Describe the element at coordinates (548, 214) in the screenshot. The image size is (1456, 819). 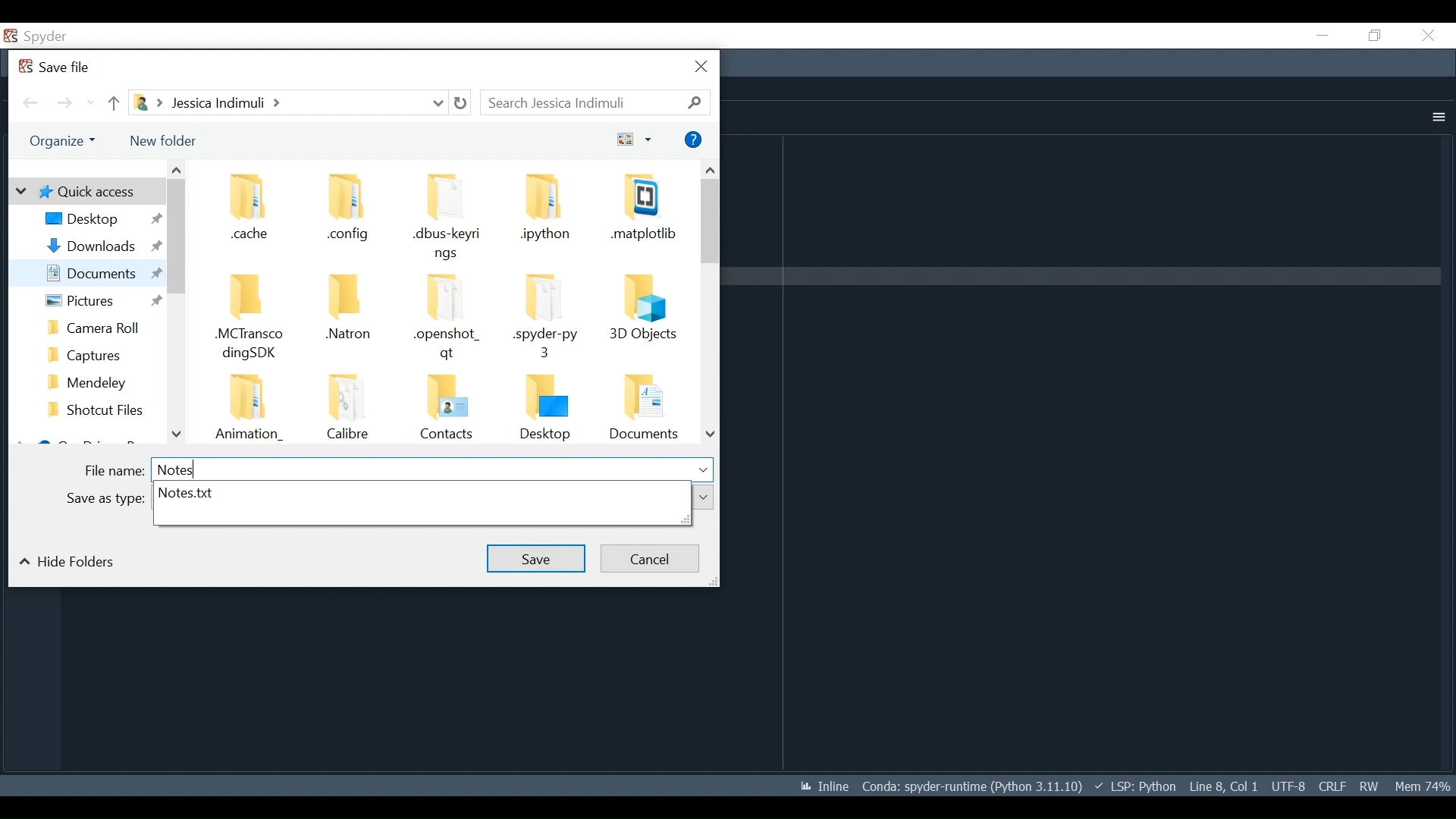
I see `Folder` at that location.